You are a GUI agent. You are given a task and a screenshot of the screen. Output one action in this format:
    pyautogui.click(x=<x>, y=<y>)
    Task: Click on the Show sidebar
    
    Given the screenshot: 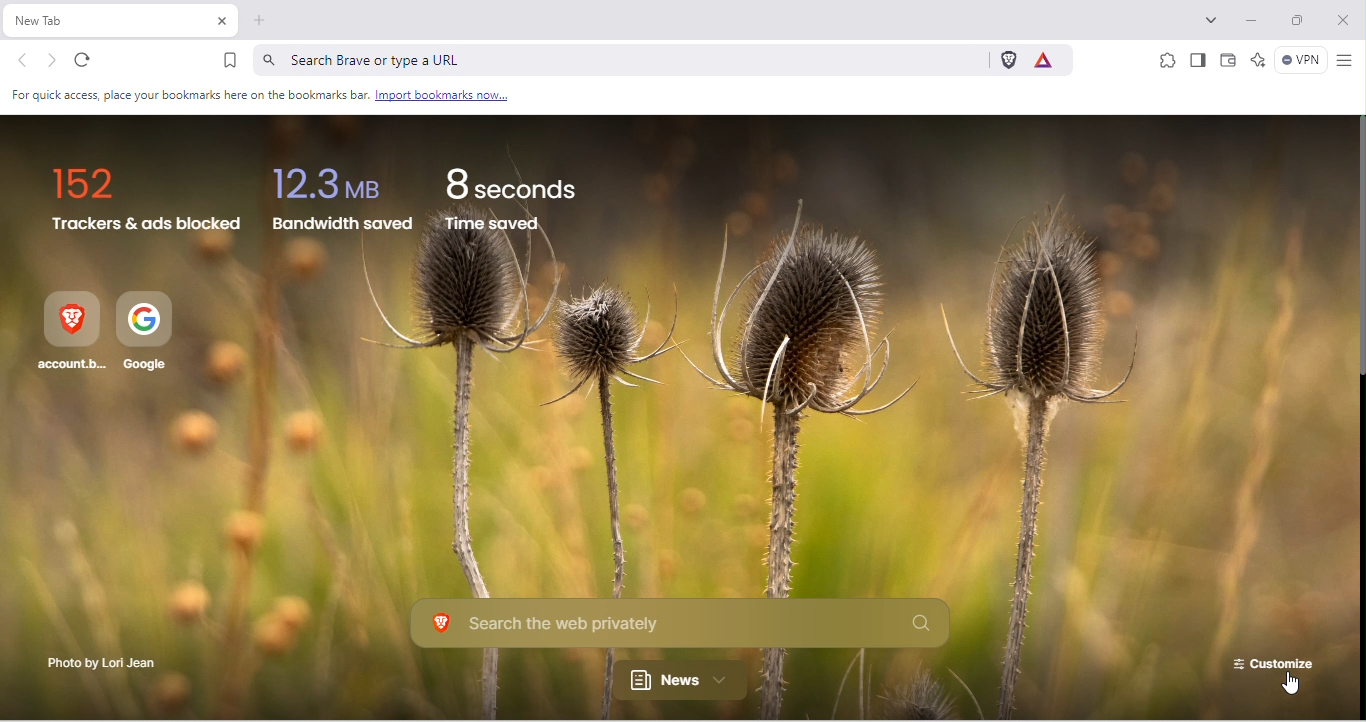 What is the action you would take?
    pyautogui.click(x=1197, y=61)
    